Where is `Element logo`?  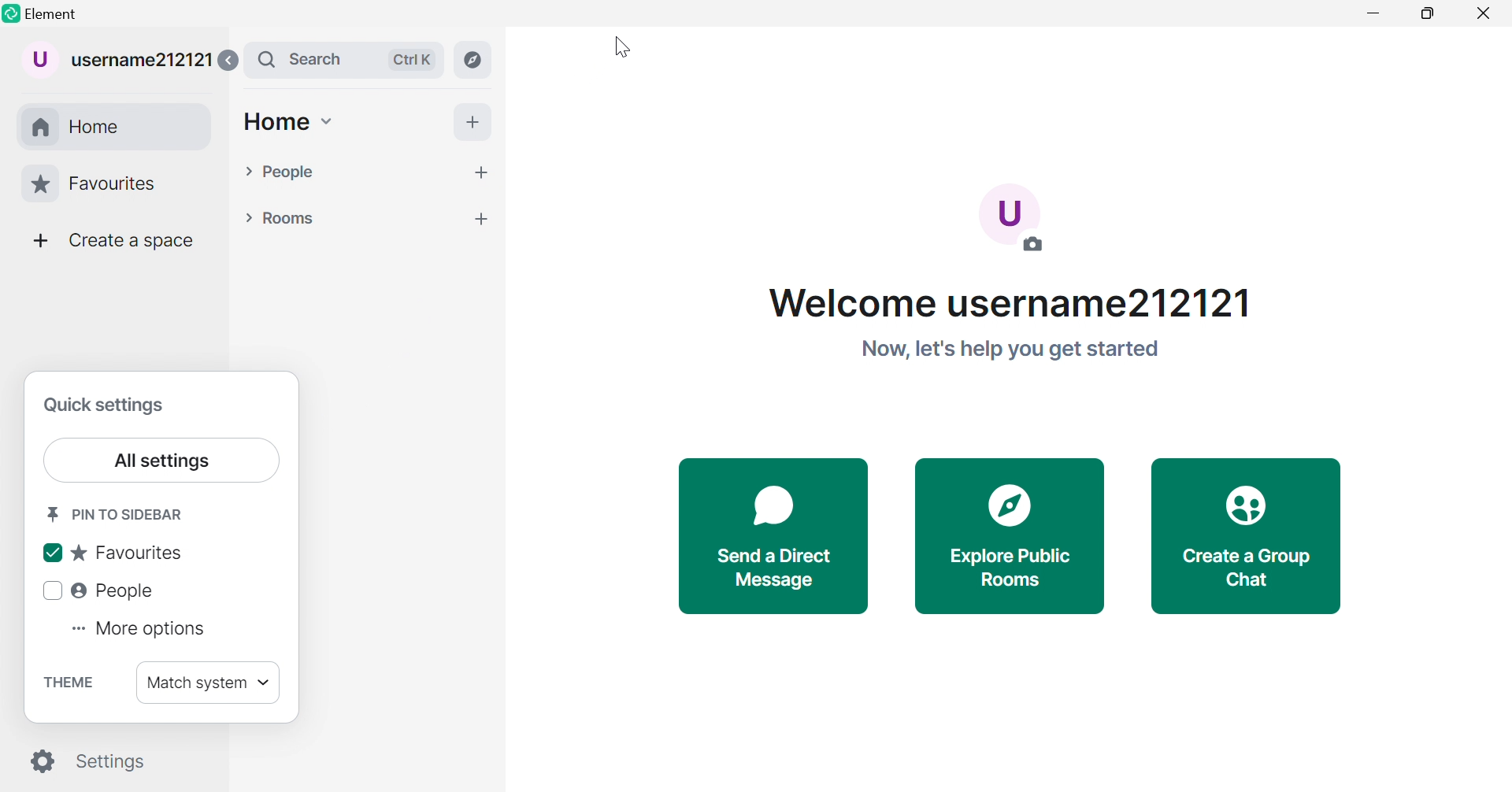
Element logo is located at coordinates (11, 13).